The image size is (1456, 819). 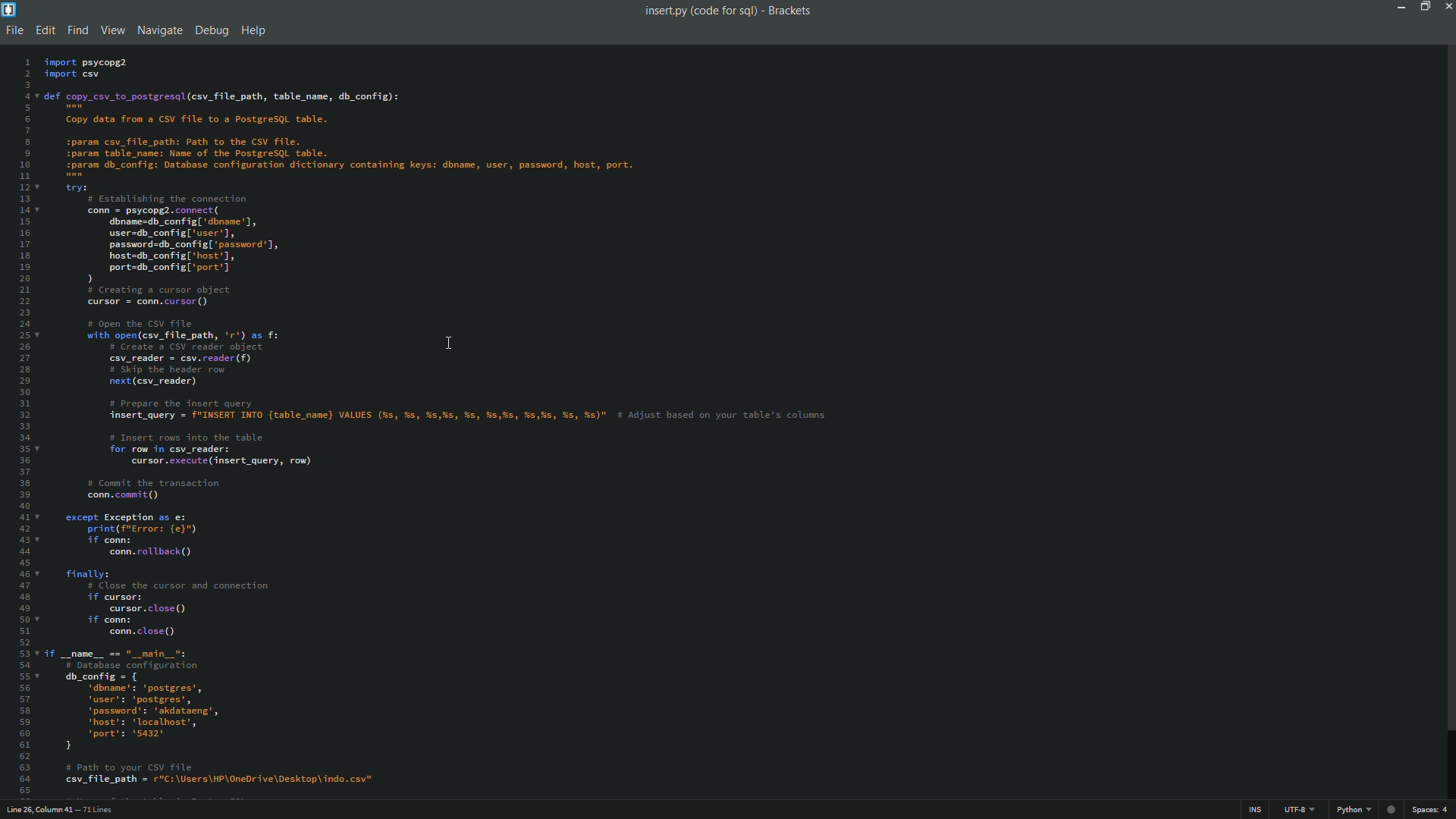 What do you see at coordinates (789, 9) in the screenshot?
I see `app name` at bounding box center [789, 9].